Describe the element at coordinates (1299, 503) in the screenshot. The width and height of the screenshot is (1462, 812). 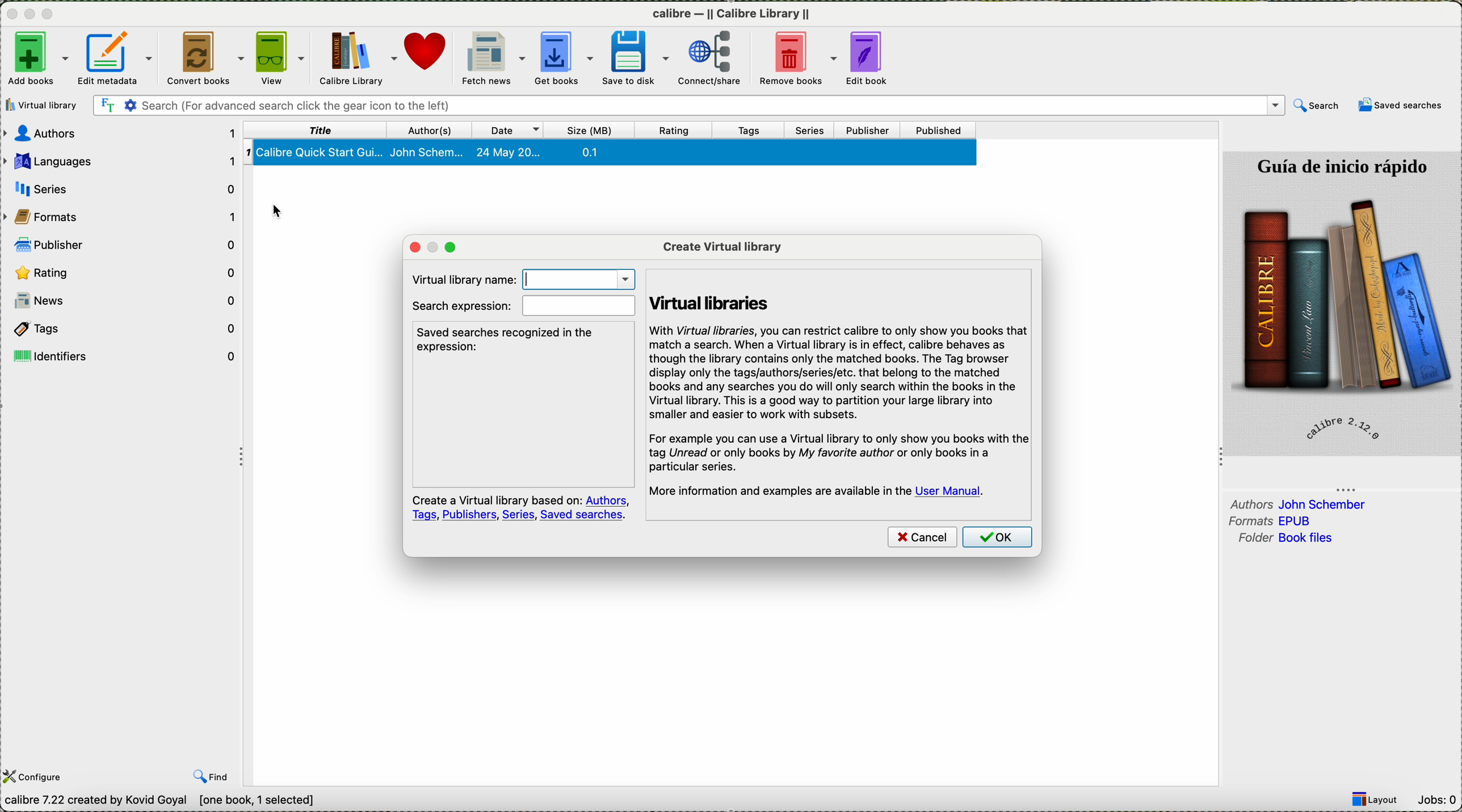
I see `authors` at that location.